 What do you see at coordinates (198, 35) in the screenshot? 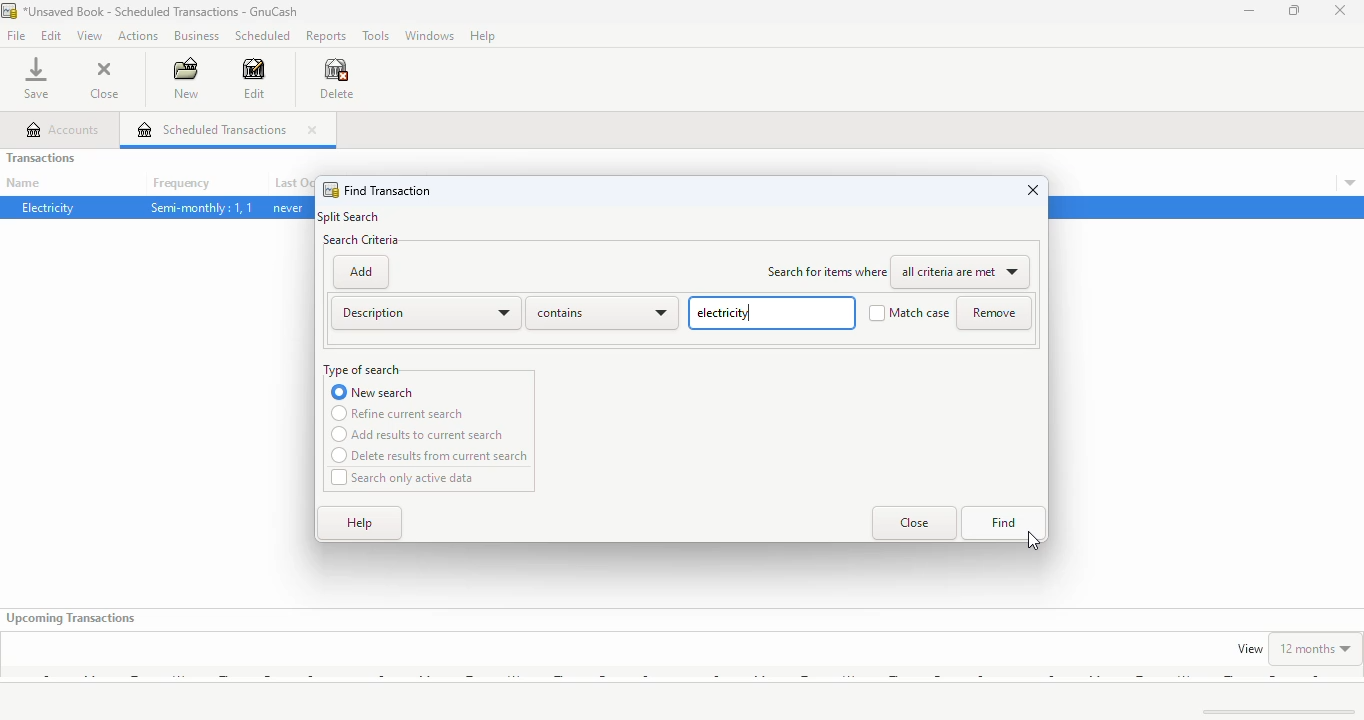
I see `business` at bounding box center [198, 35].